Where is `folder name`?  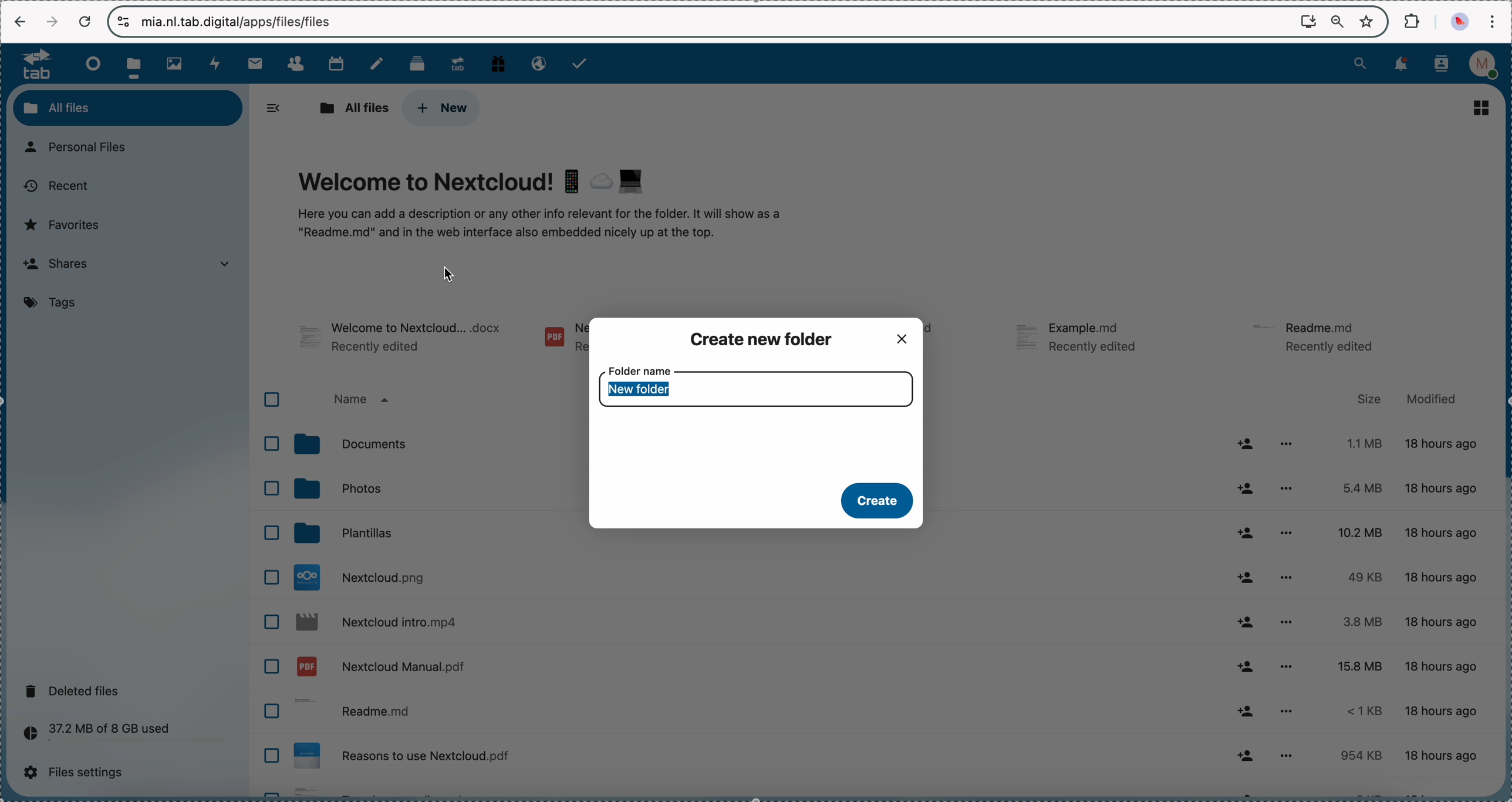
folder name is located at coordinates (758, 388).